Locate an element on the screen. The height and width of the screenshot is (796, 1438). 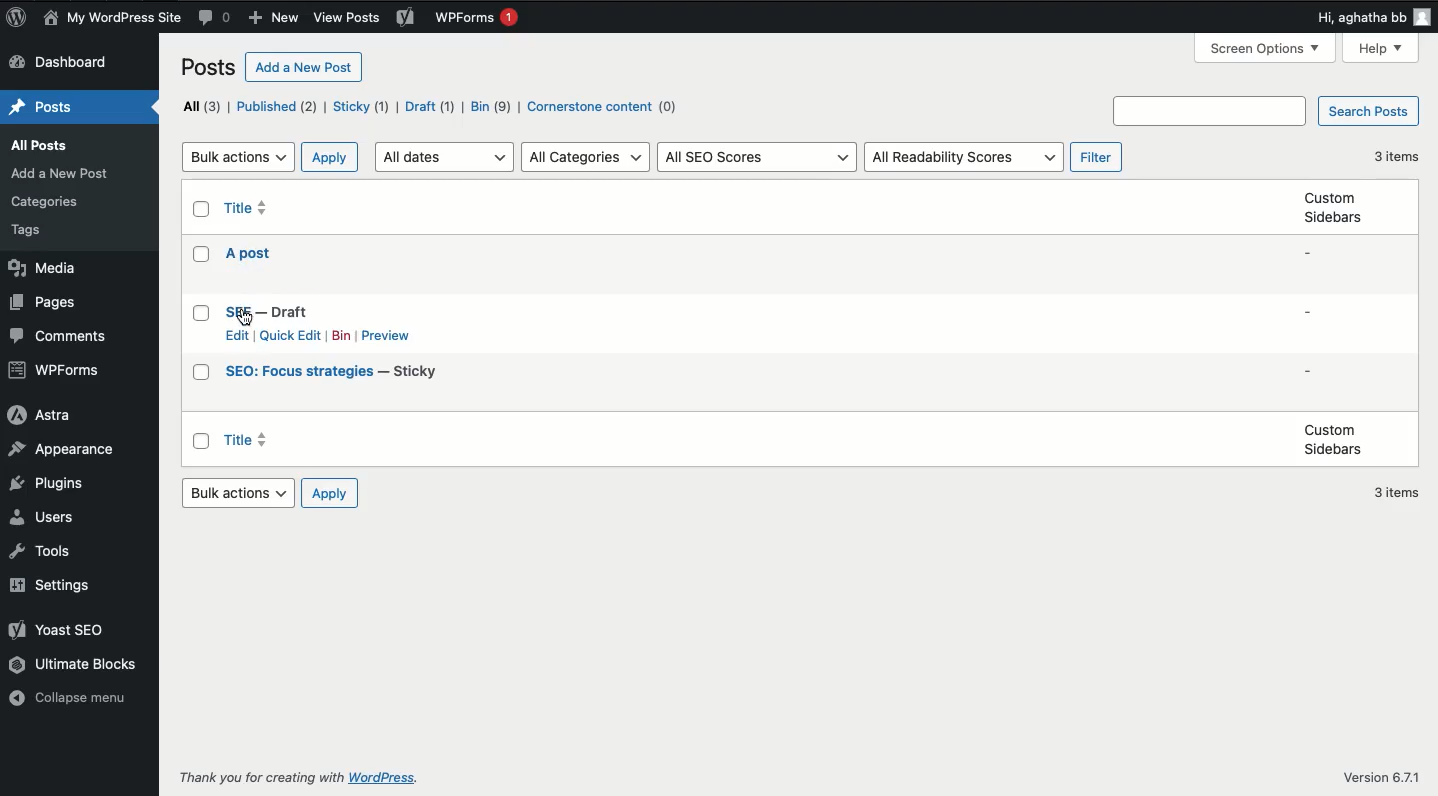
Thank you for creating with WordPress is located at coordinates (301, 779).